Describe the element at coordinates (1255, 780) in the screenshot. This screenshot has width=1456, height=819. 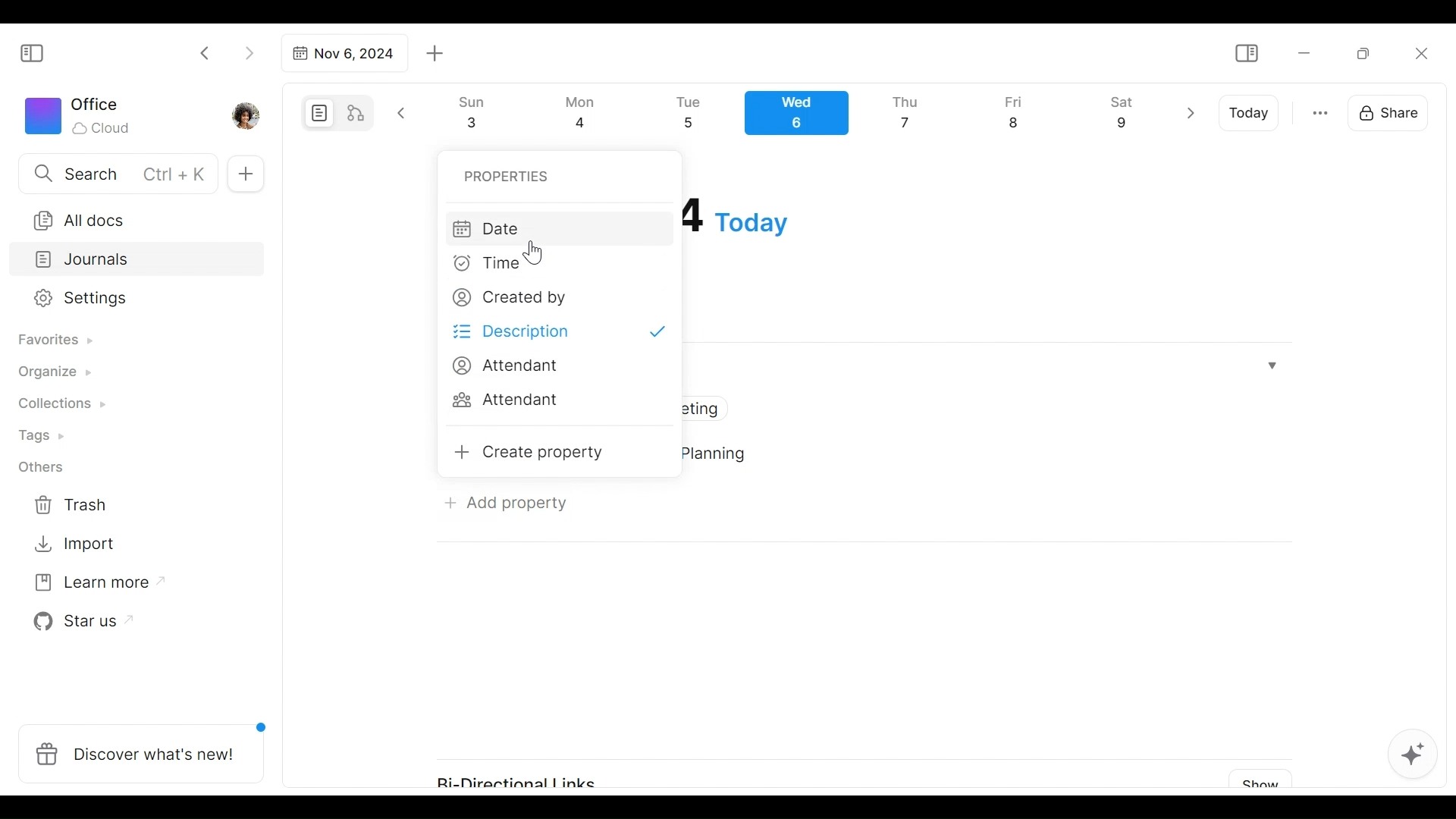
I see `Show` at that location.